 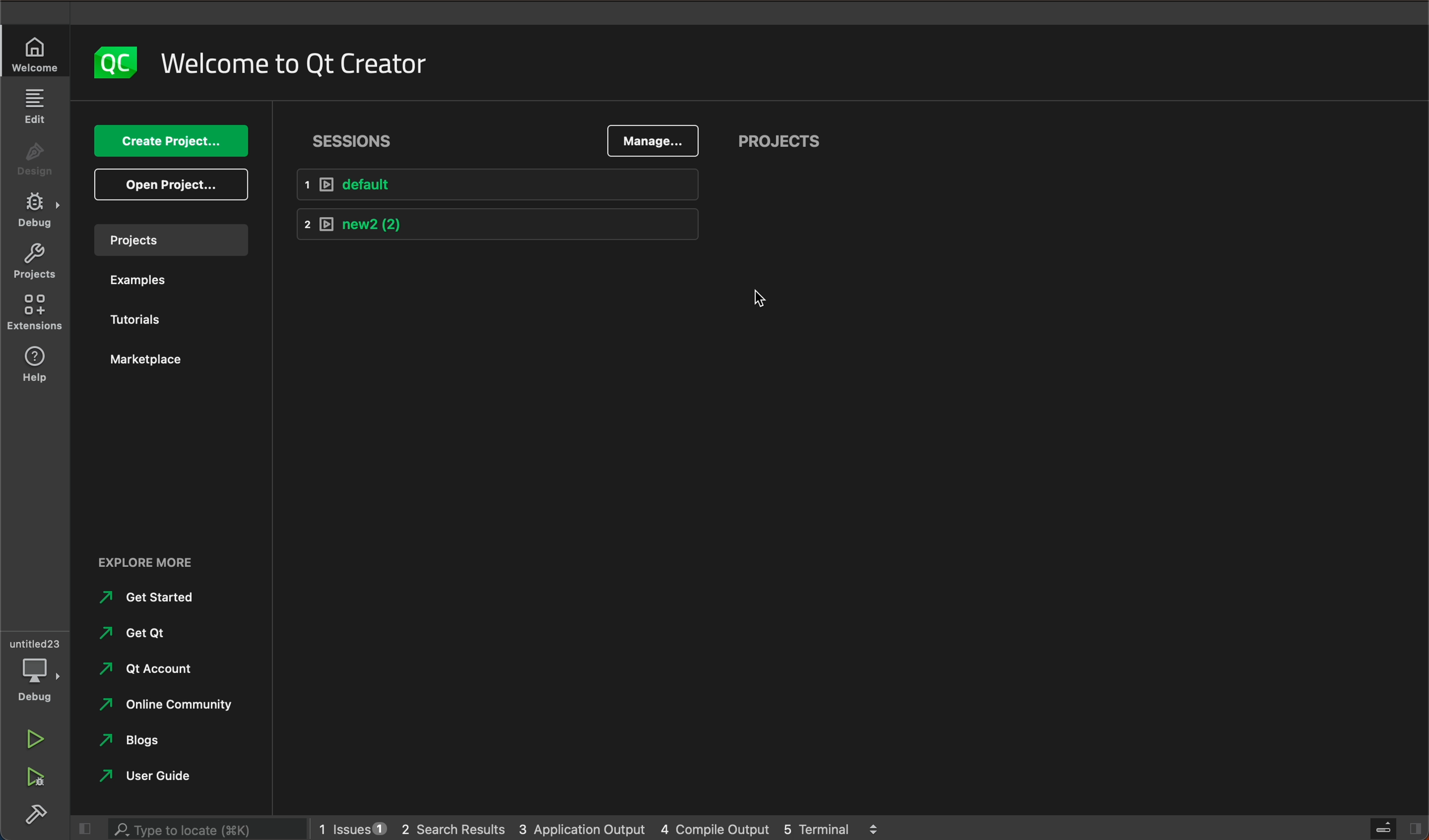 I want to click on EXPLORE MORE, so click(x=147, y=561).